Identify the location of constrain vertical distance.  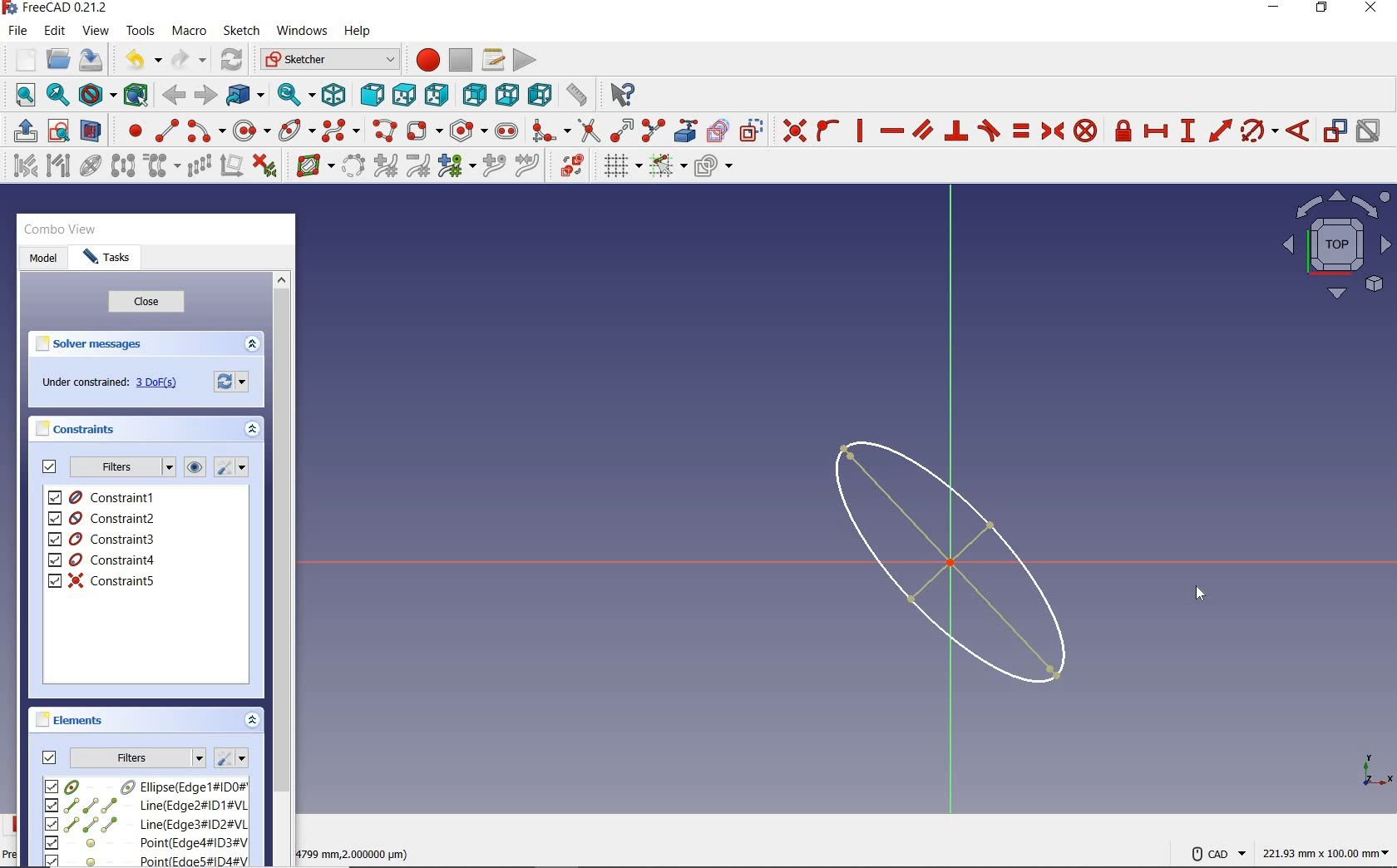
(1187, 131).